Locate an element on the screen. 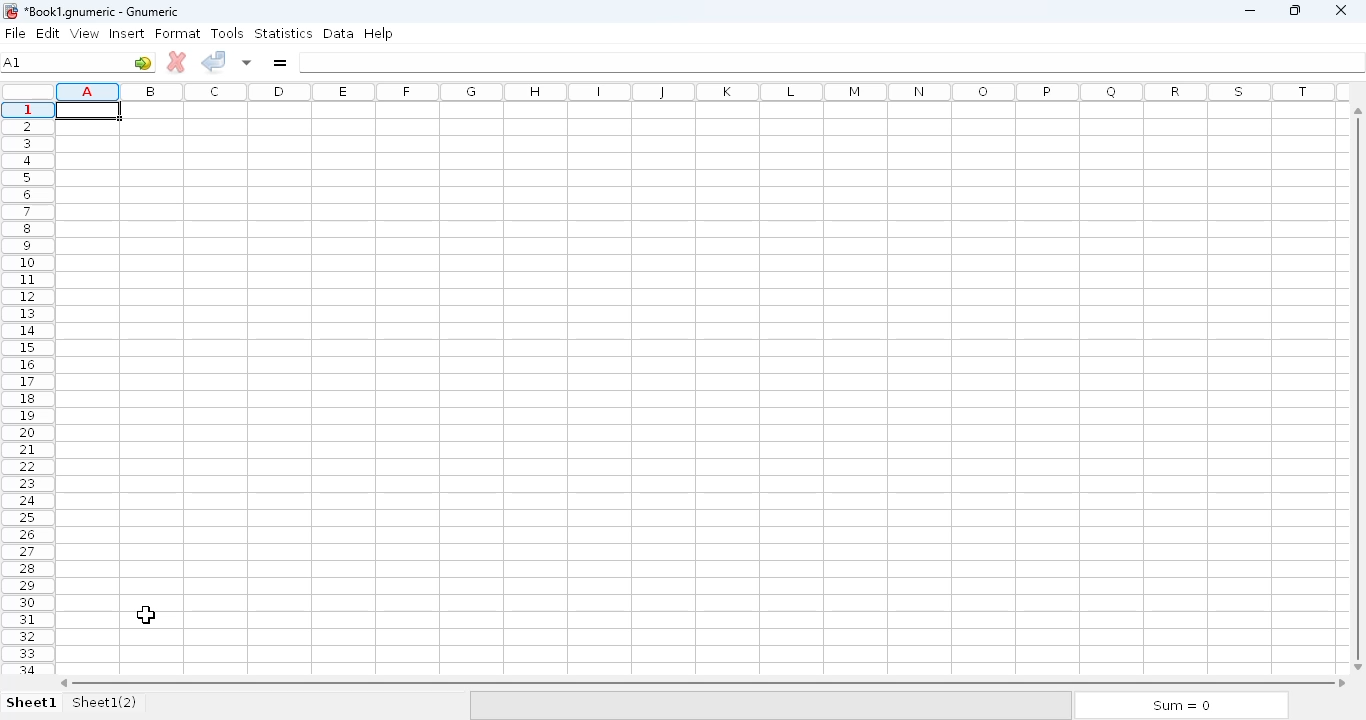  go-to is located at coordinates (143, 62).